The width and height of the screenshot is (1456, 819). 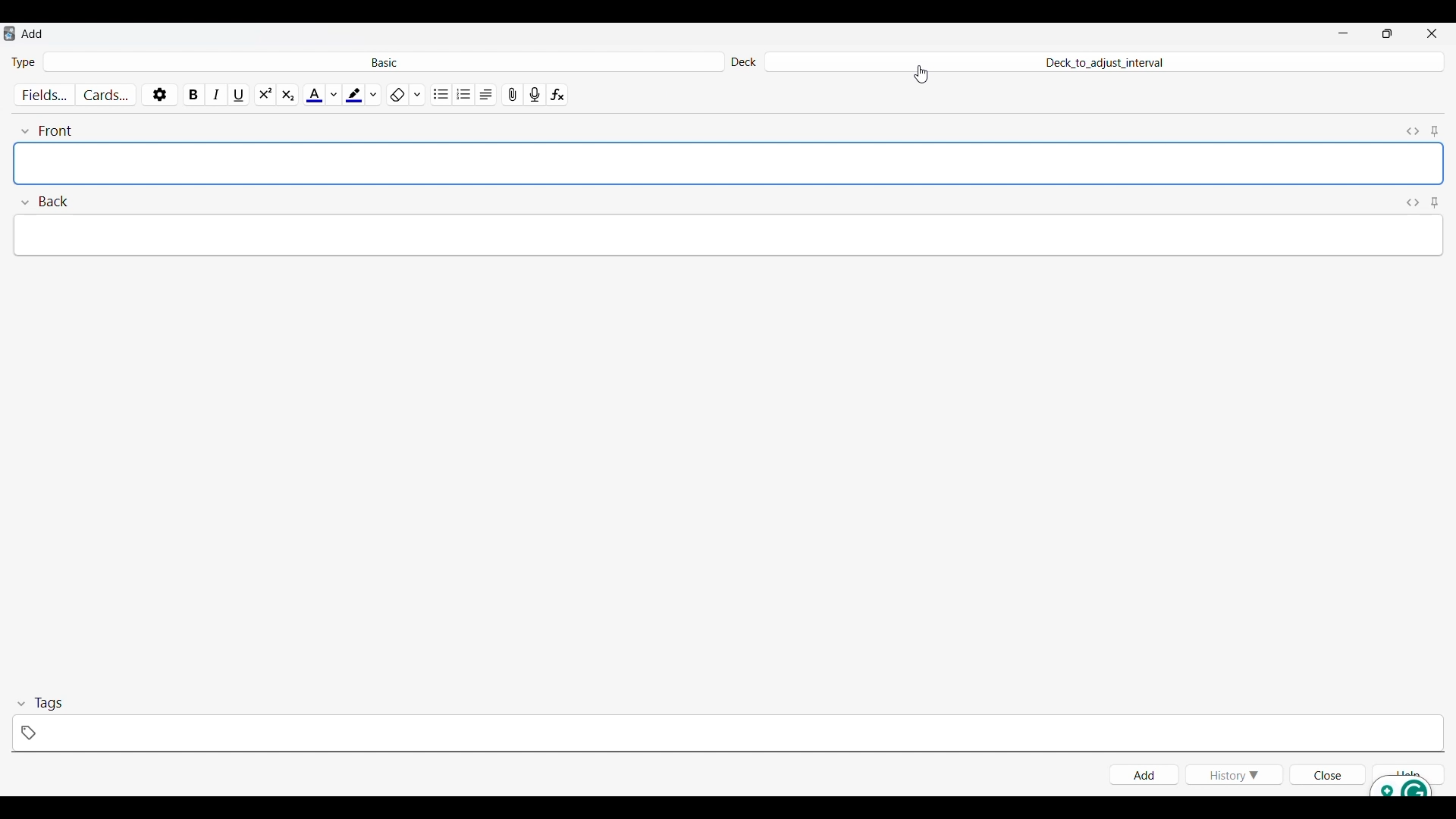 I want to click on Customize fields, so click(x=46, y=95).